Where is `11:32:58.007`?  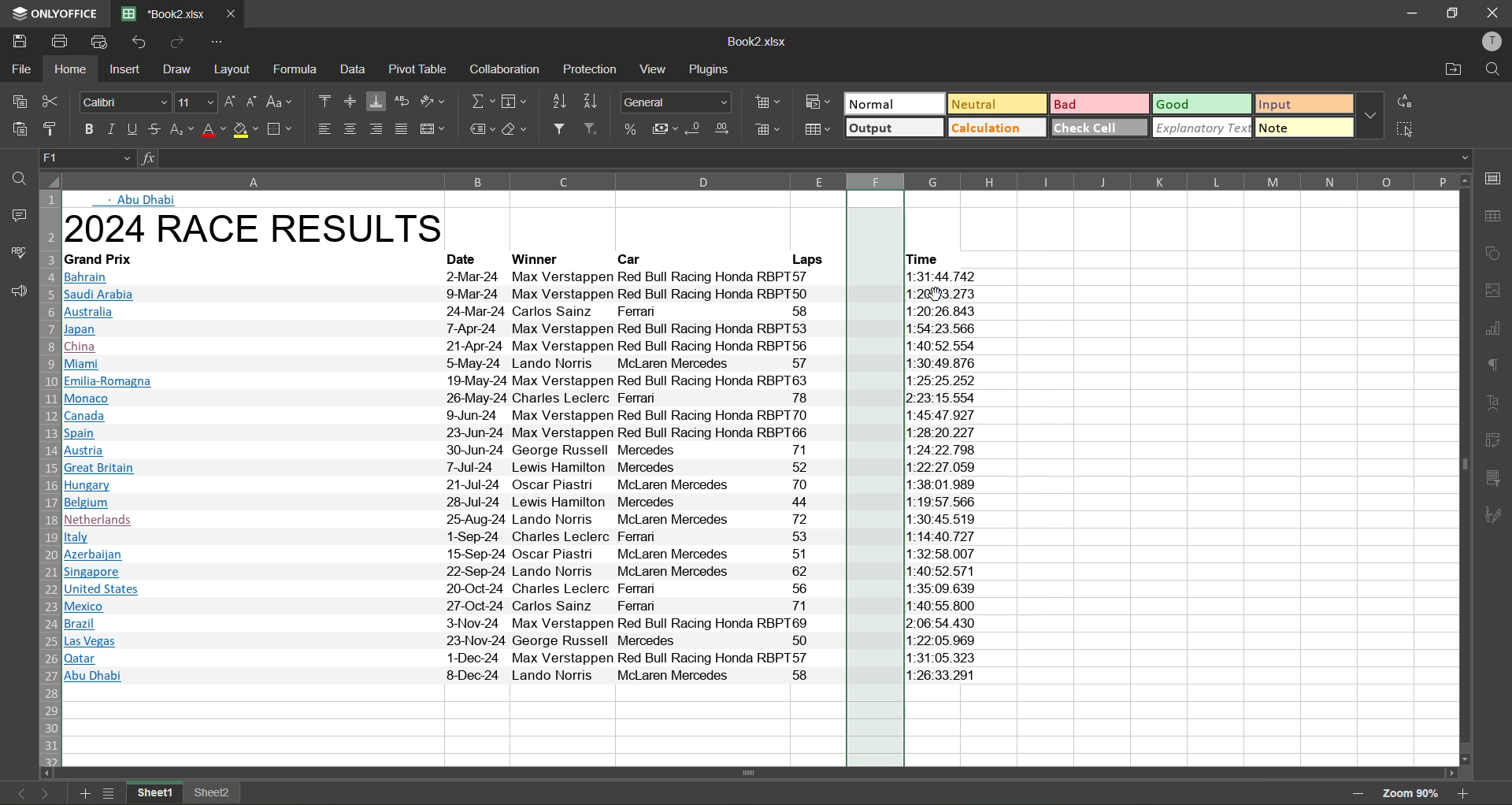
11:32:58.007 is located at coordinates (949, 553).